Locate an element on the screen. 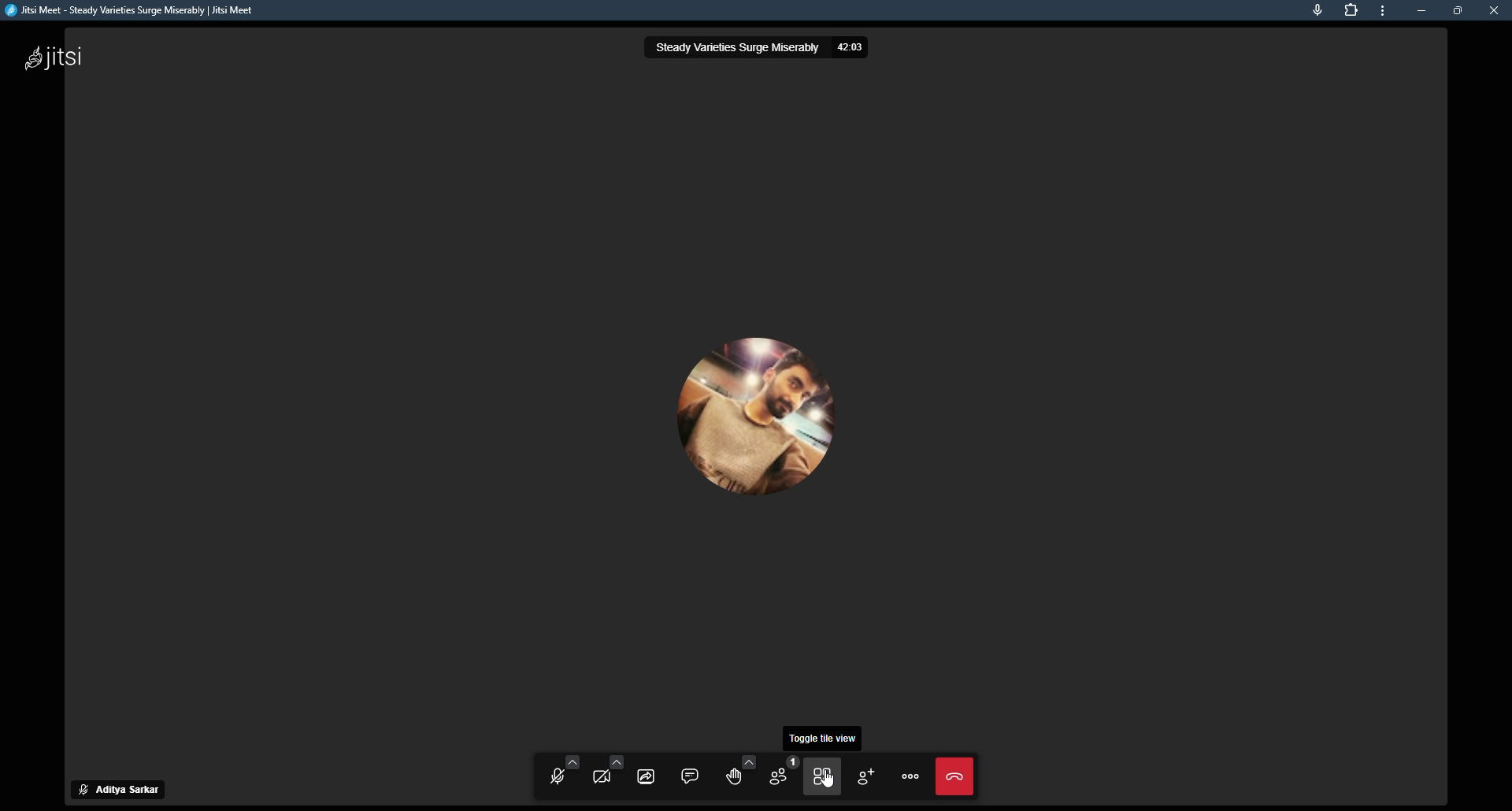  minimize is located at coordinates (1422, 10).